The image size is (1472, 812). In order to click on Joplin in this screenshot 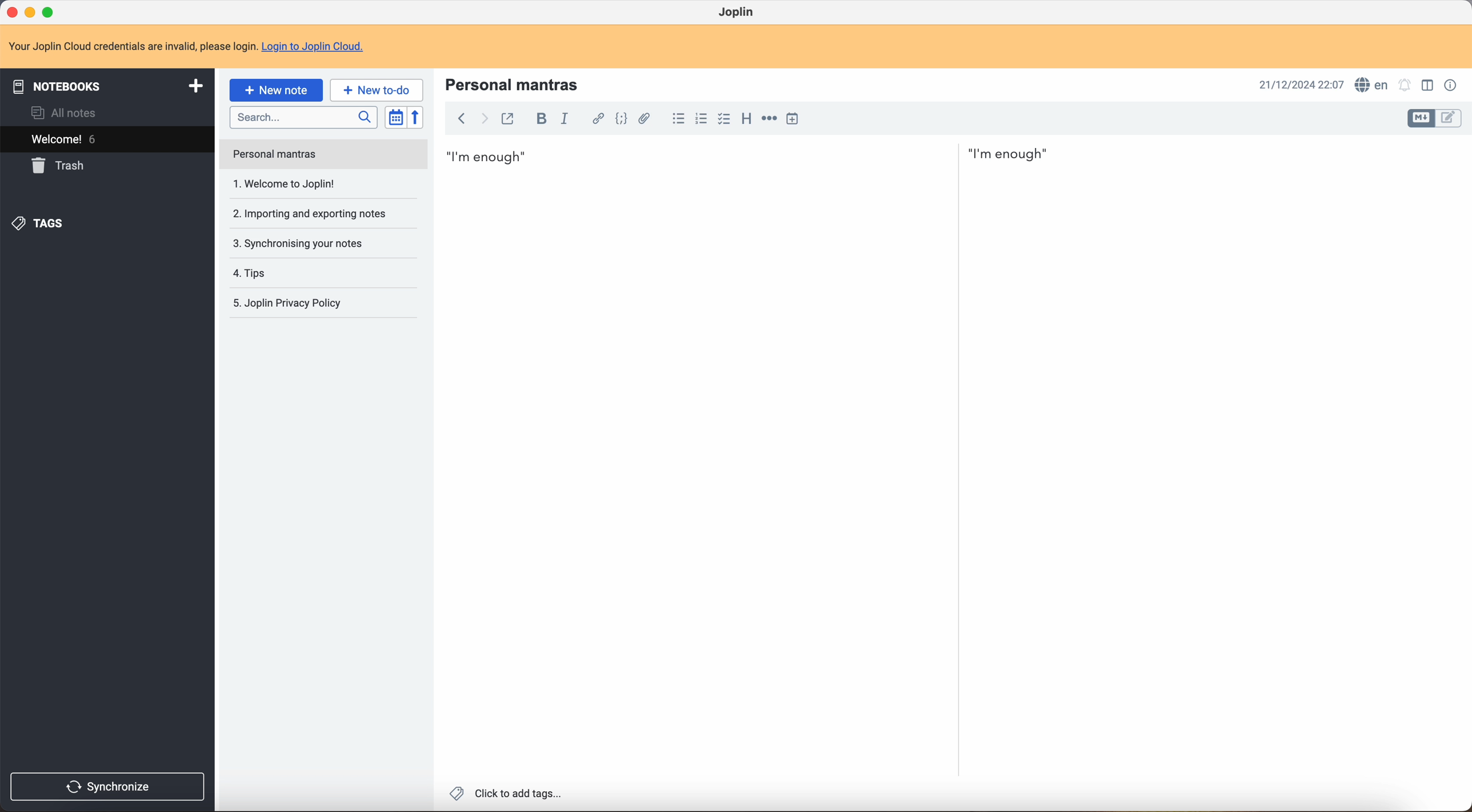, I will do `click(738, 11)`.